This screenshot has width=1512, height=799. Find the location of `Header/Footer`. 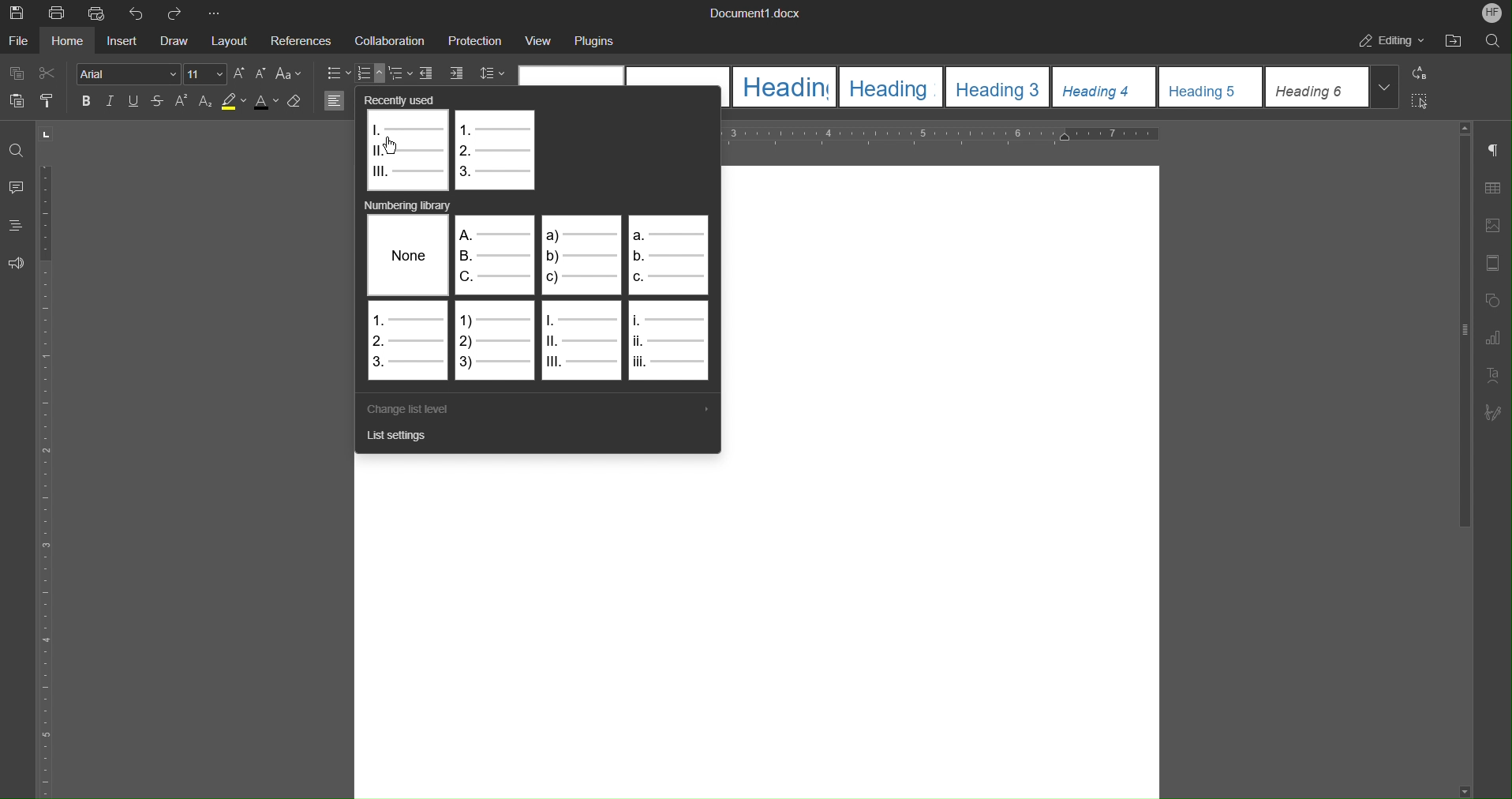

Header/Footer is located at coordinates (1491, 264).